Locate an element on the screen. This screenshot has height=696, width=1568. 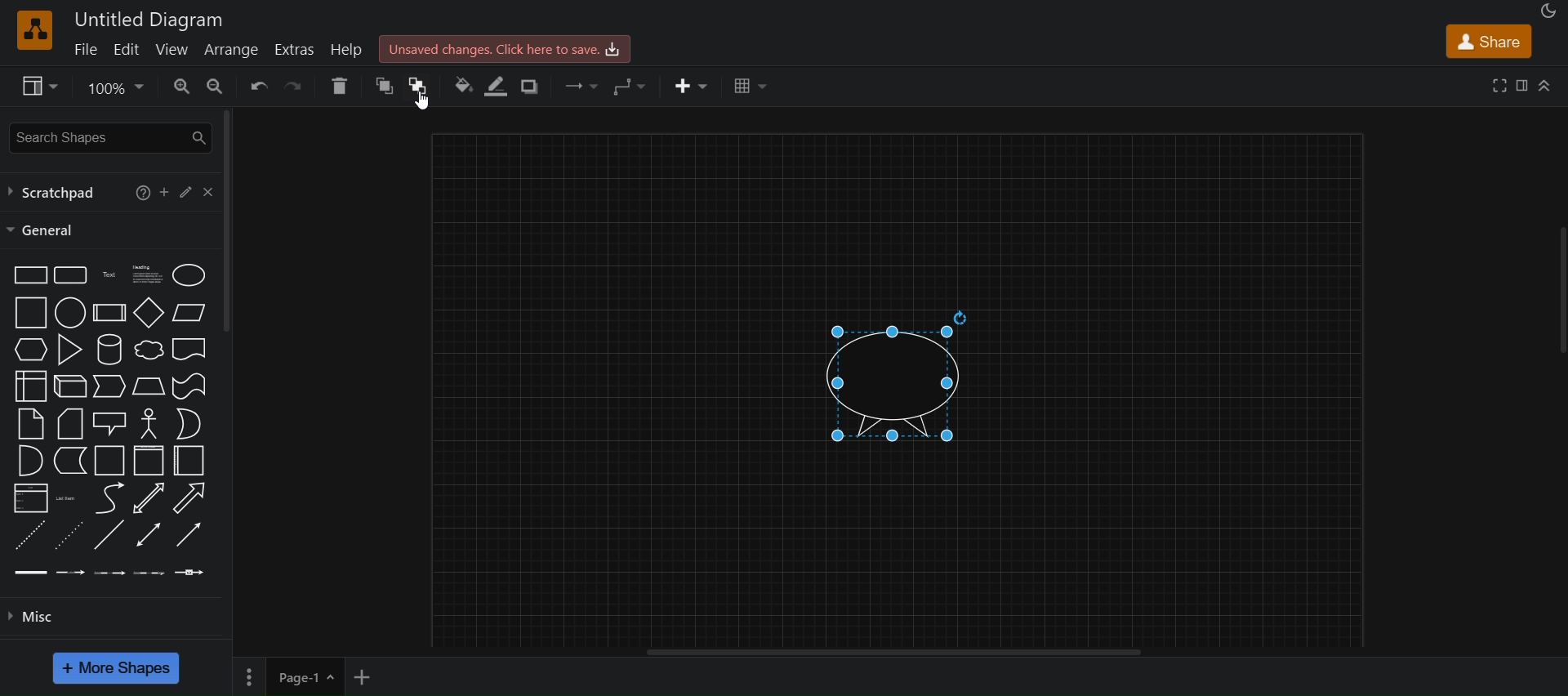
circle is located at coordinates (70, 313).